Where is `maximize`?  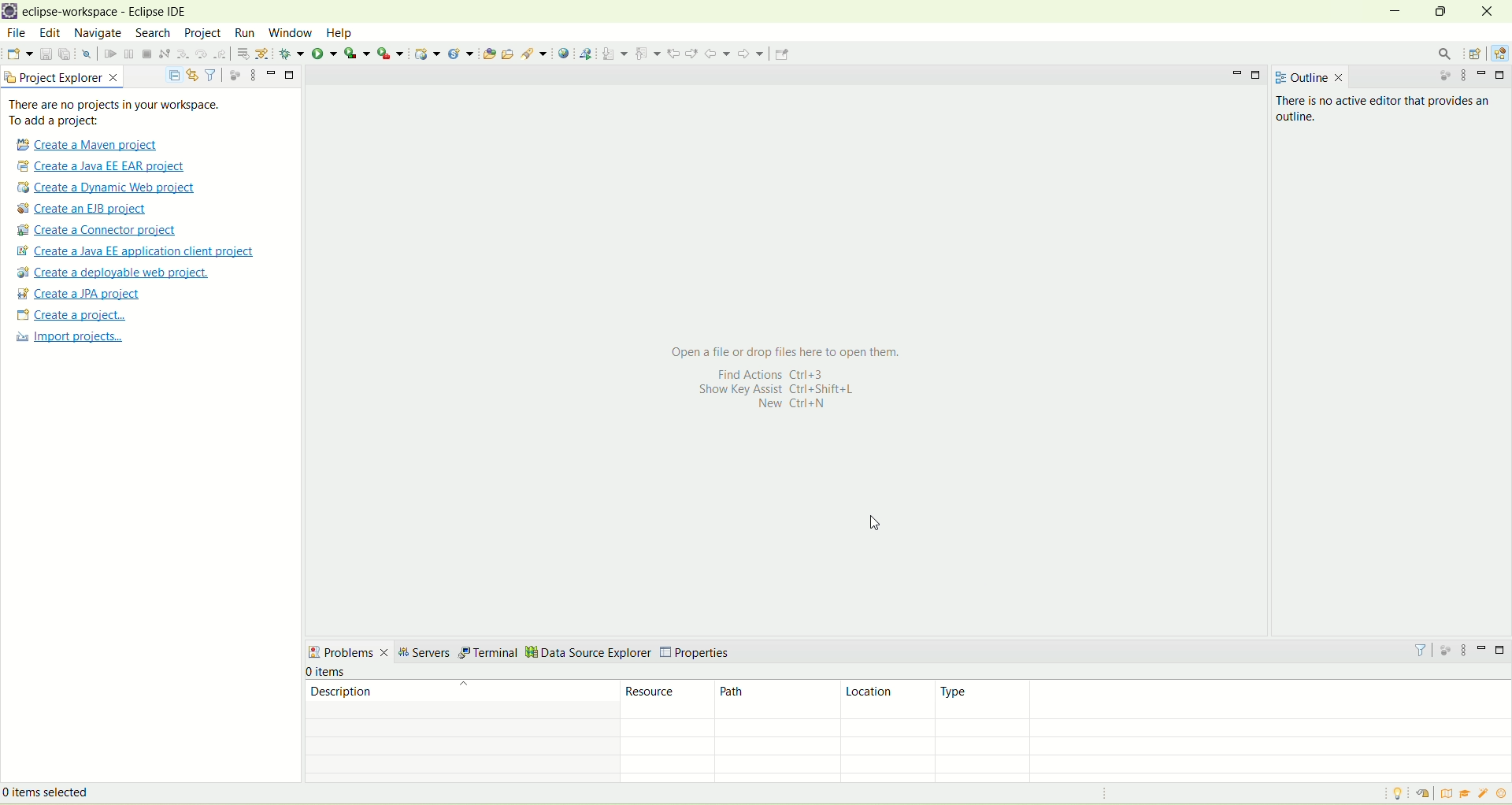
maximize is located at coordinates (1501, 650).